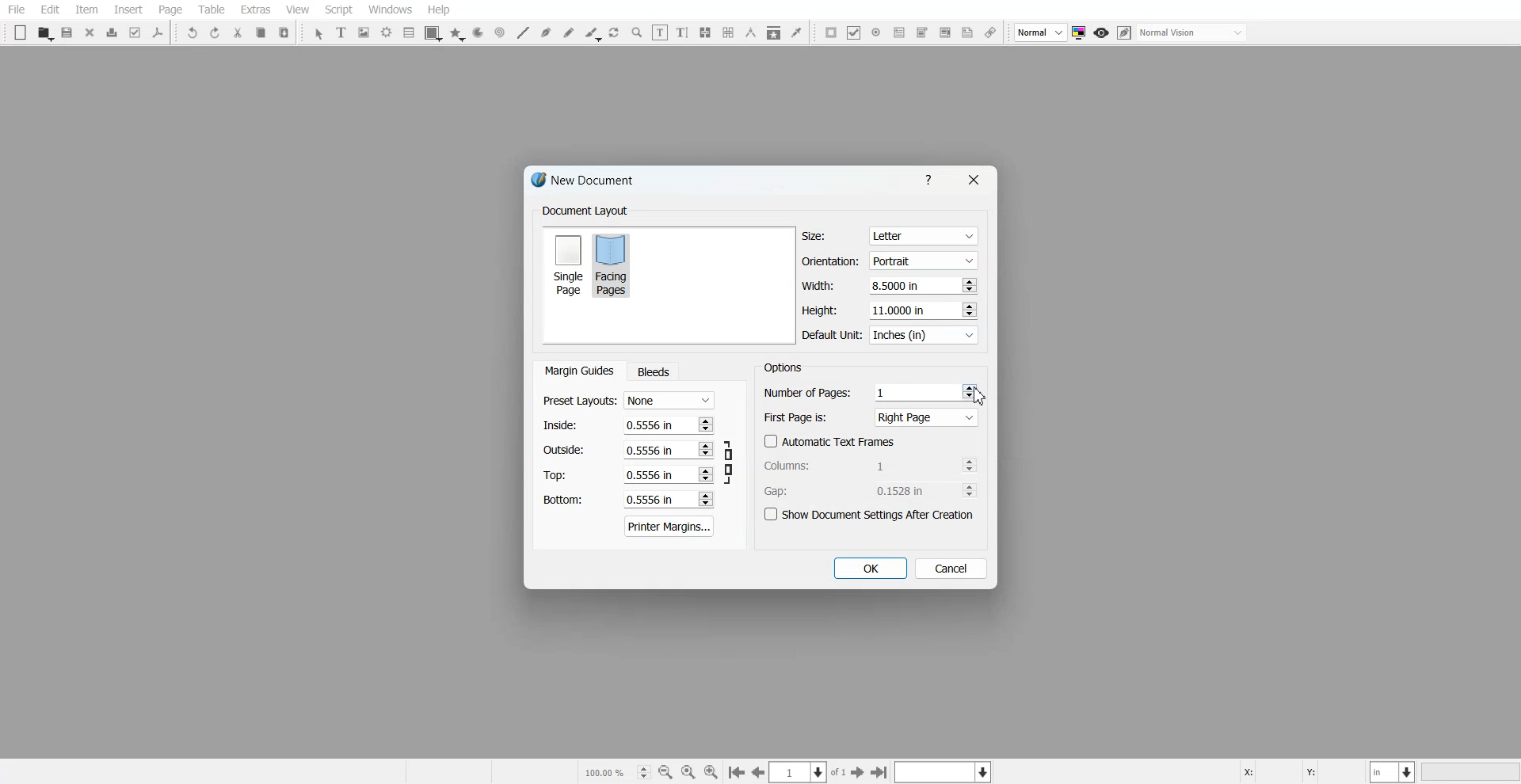  Describe the element at coordinates (410, 32) in the screenshot. I see `List` at that location.